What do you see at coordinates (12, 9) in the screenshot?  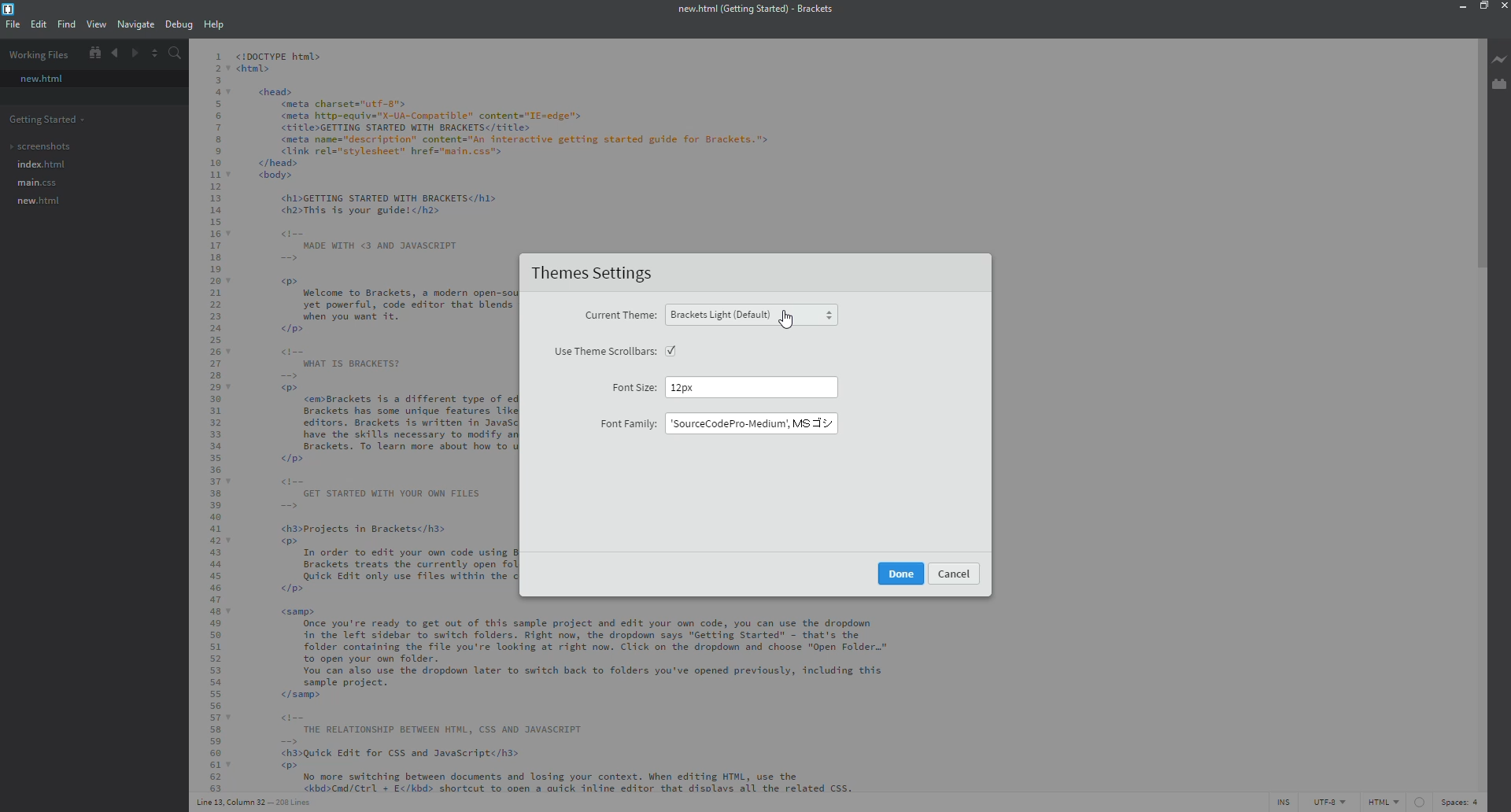 I see `brackets` at bounding box center [12, 9].